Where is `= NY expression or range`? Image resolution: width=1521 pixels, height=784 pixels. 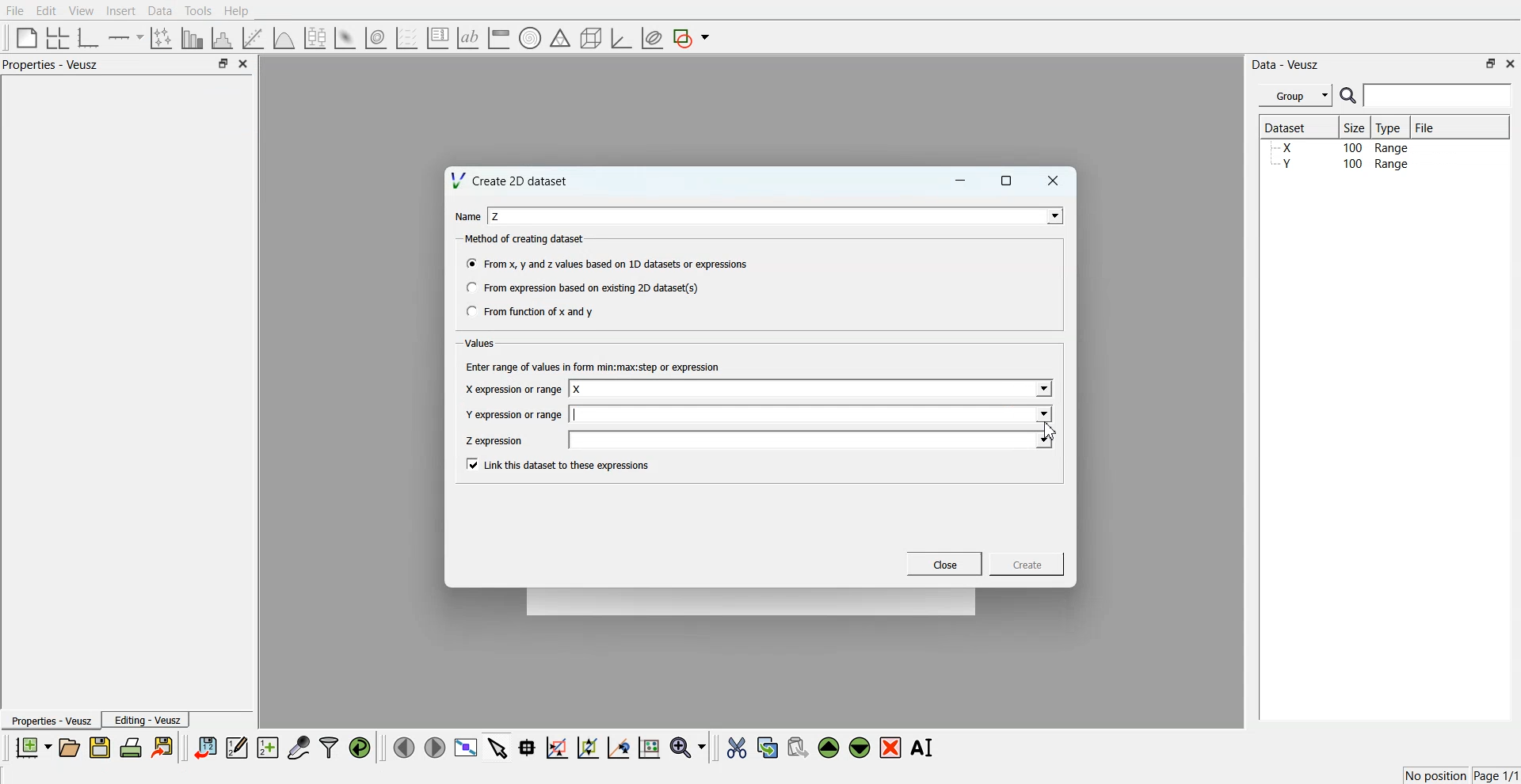
= NY expression or range is located at coordinates (514, 414).